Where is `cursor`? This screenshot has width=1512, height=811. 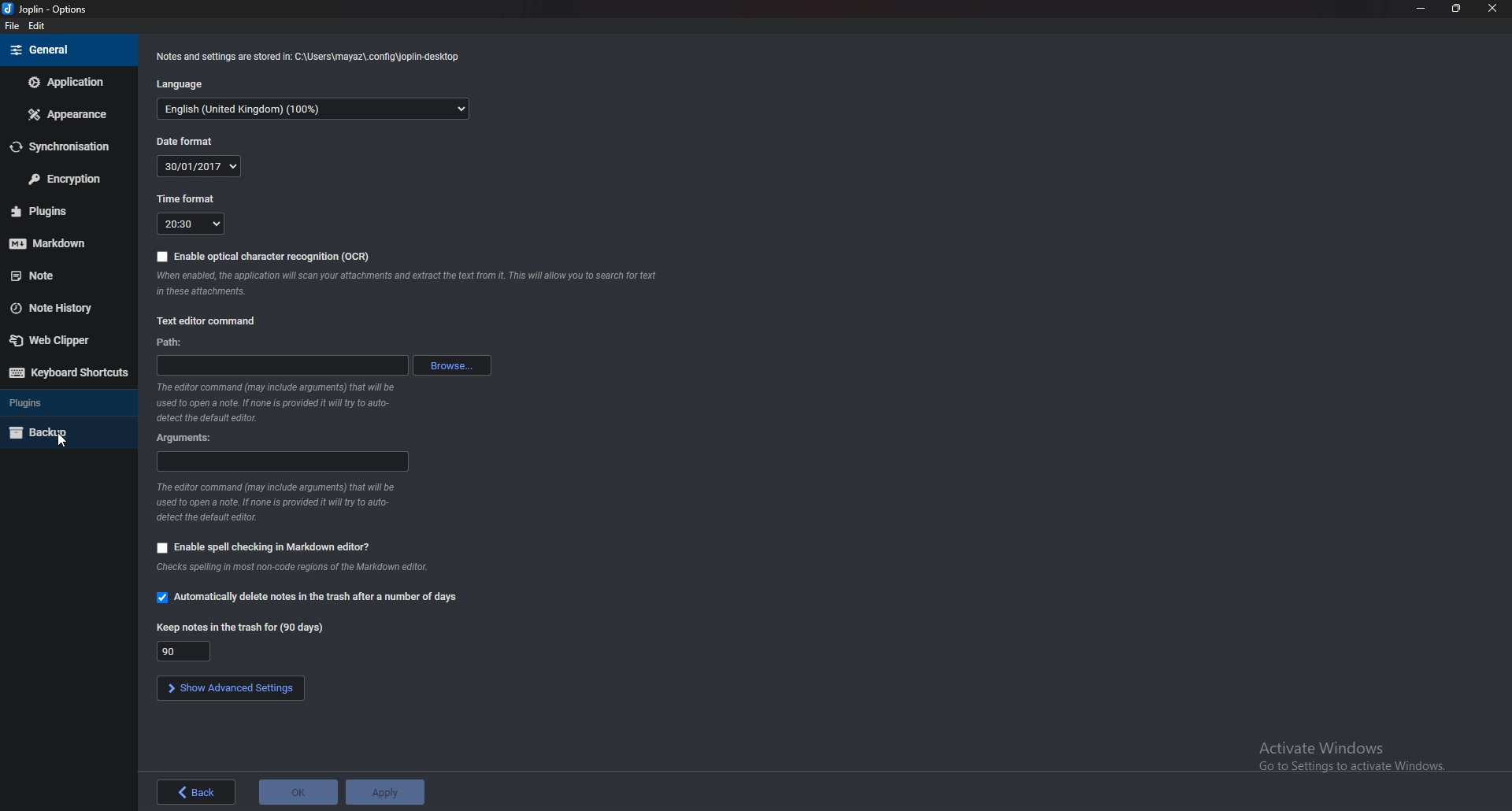 cursor is located at coordinates (61, 441).